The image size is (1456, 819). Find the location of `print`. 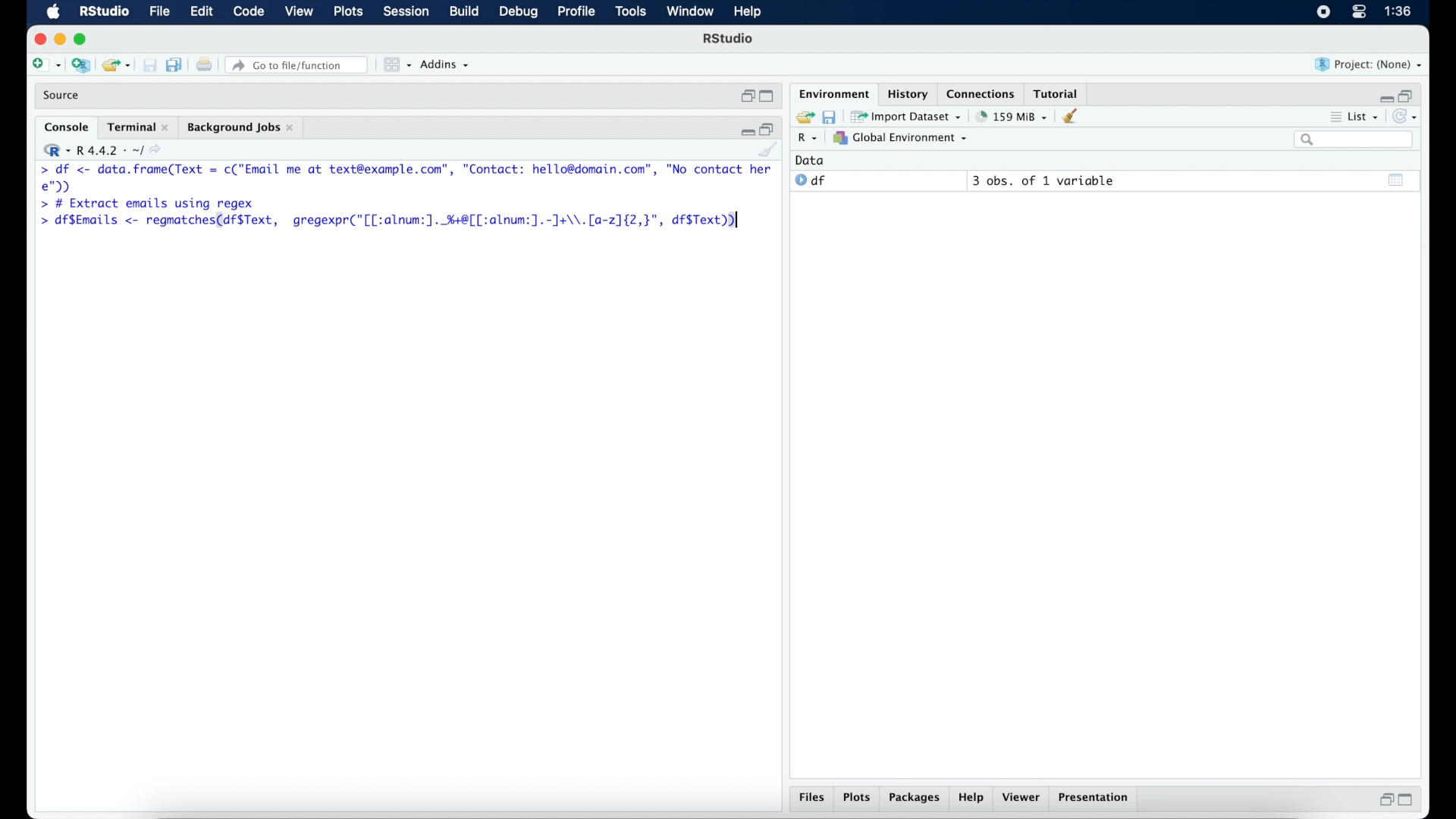

print is located at coordinates (203, 64).